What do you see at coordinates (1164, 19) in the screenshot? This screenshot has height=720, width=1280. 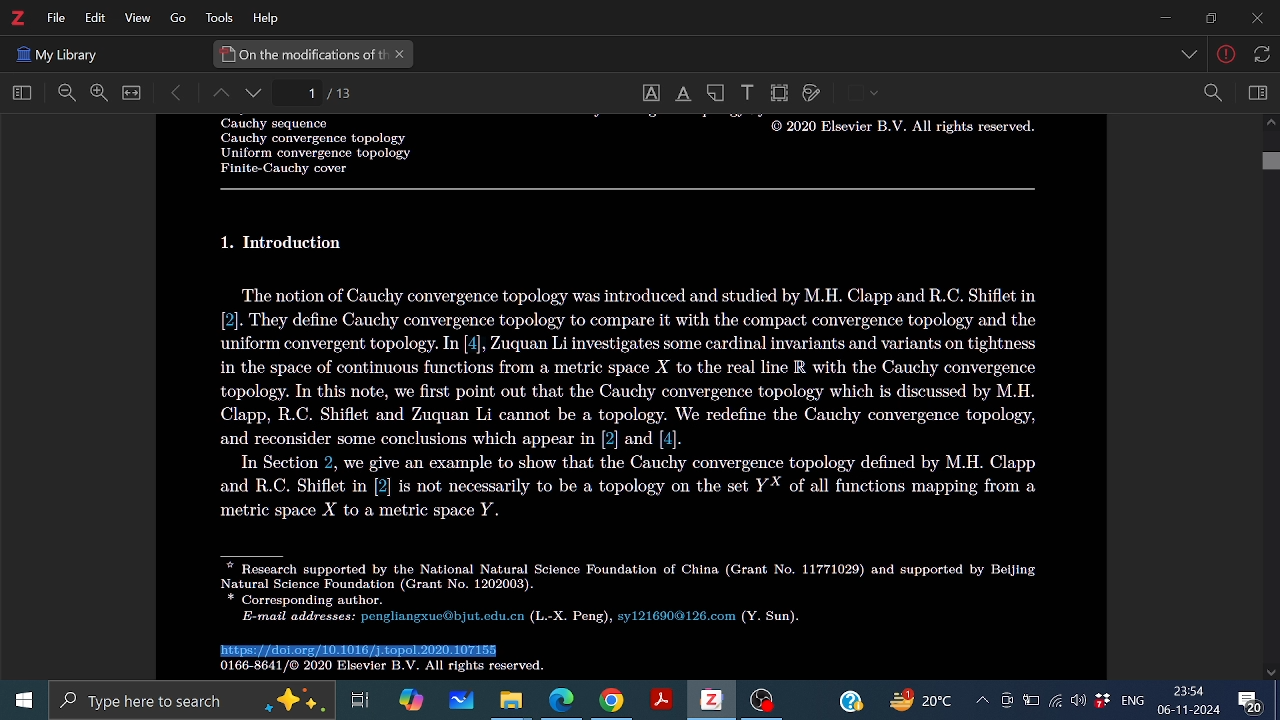 I see `Minmize` at bounding box center [1164, 19].